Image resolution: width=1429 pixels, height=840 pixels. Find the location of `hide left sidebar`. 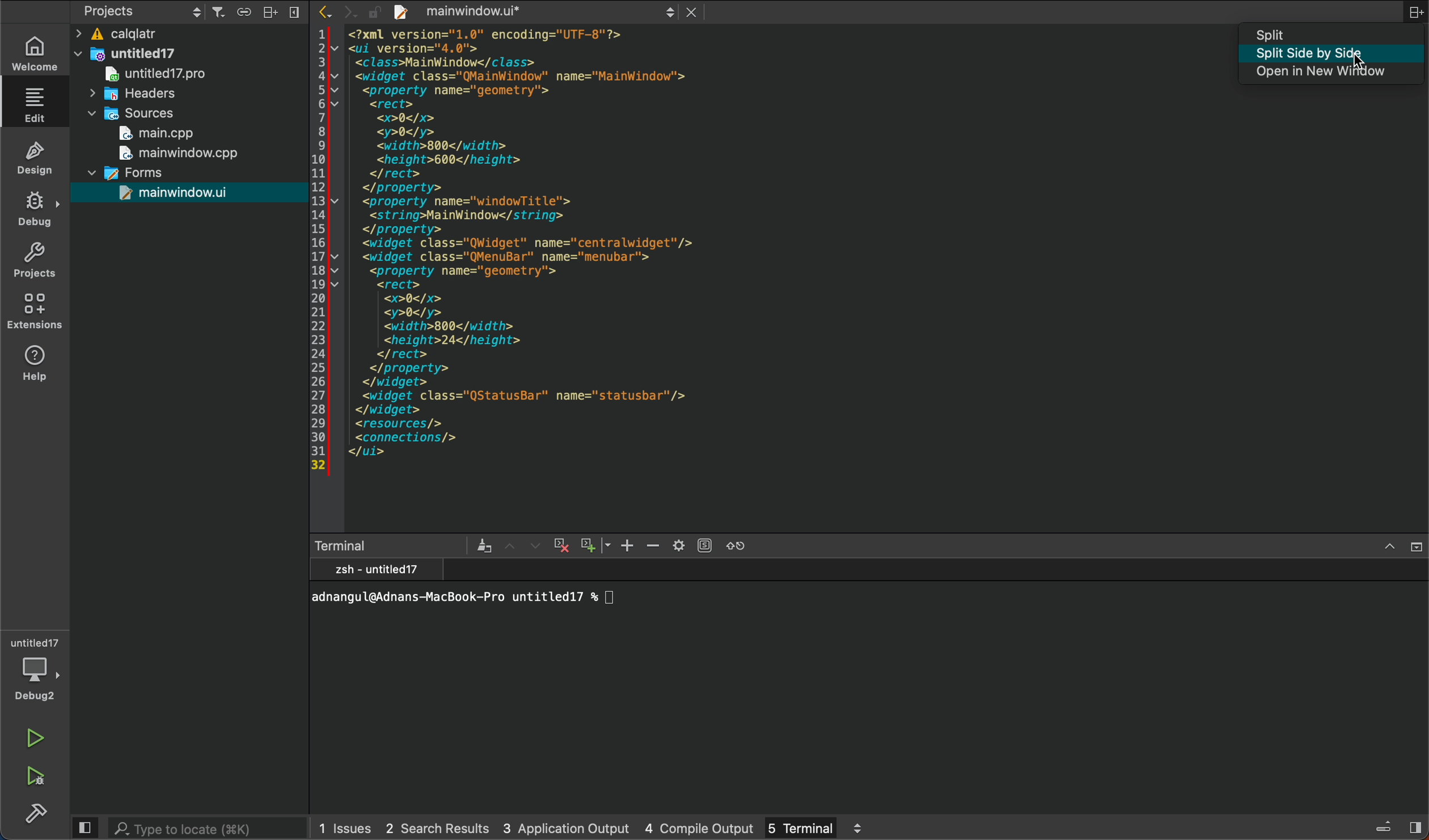

hide left sidebar is located at coordinates (84, 828).